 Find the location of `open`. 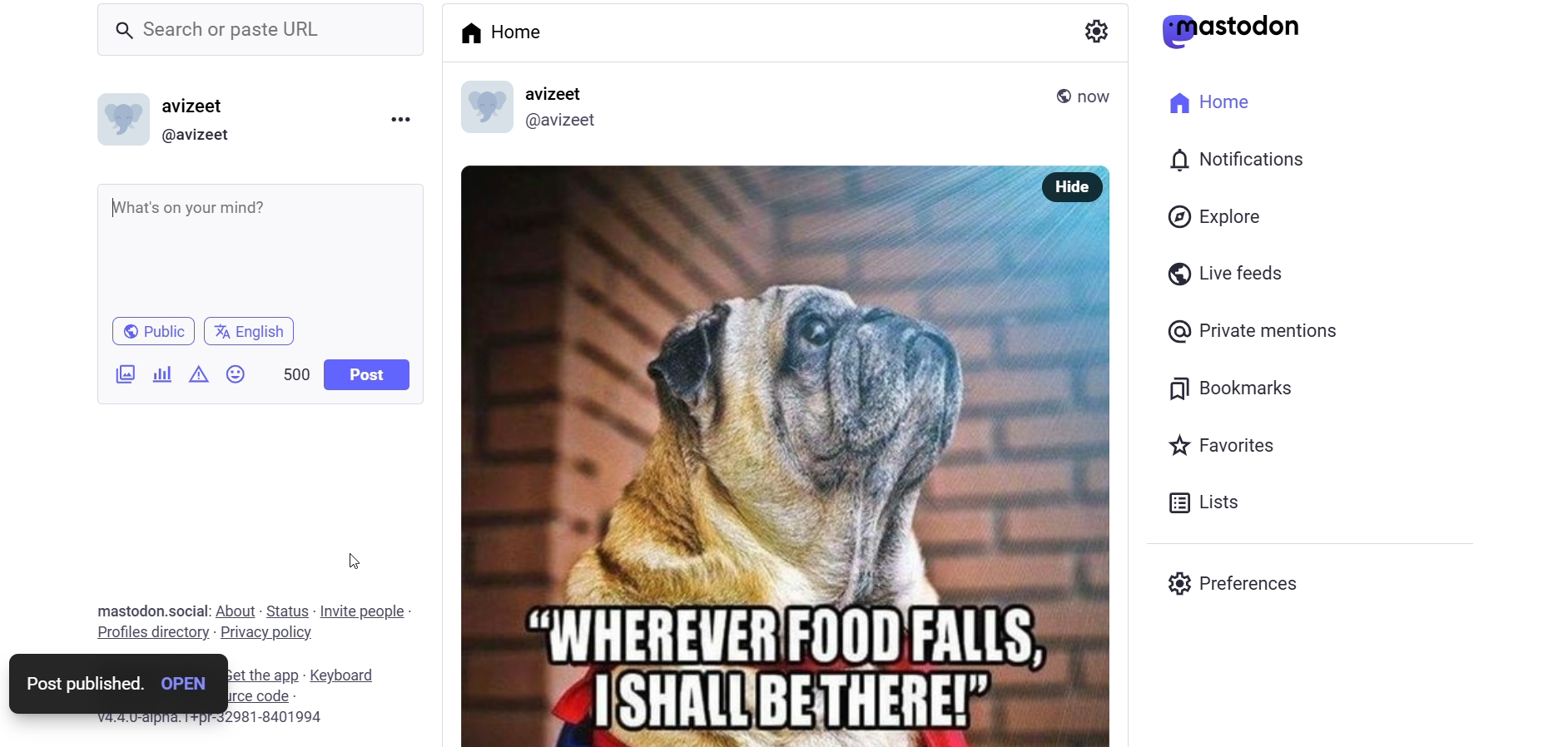

open is located at coordinates (184, 685).